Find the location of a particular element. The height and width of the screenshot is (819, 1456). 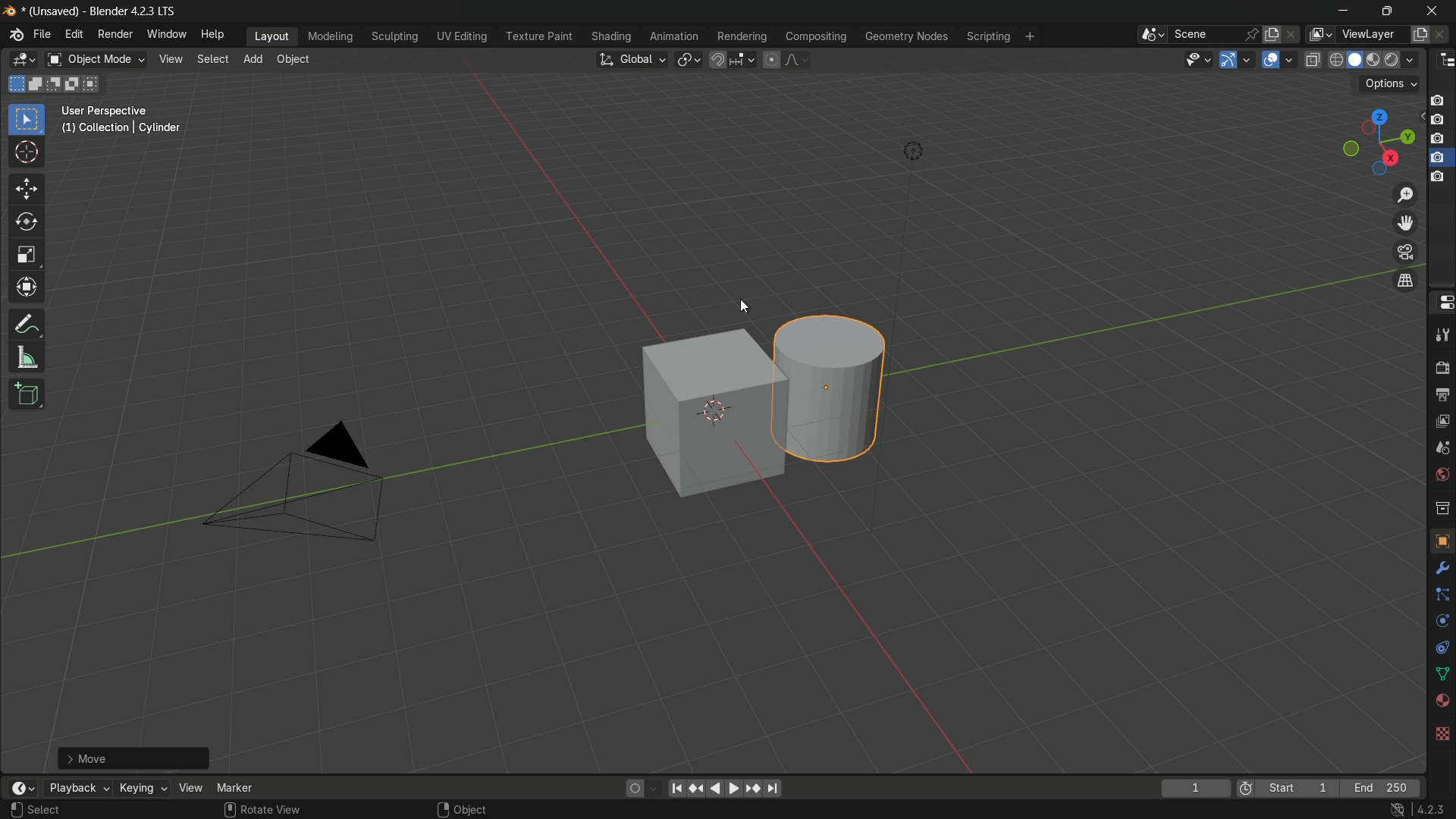

blender logo is located at coordinates (14, 36).